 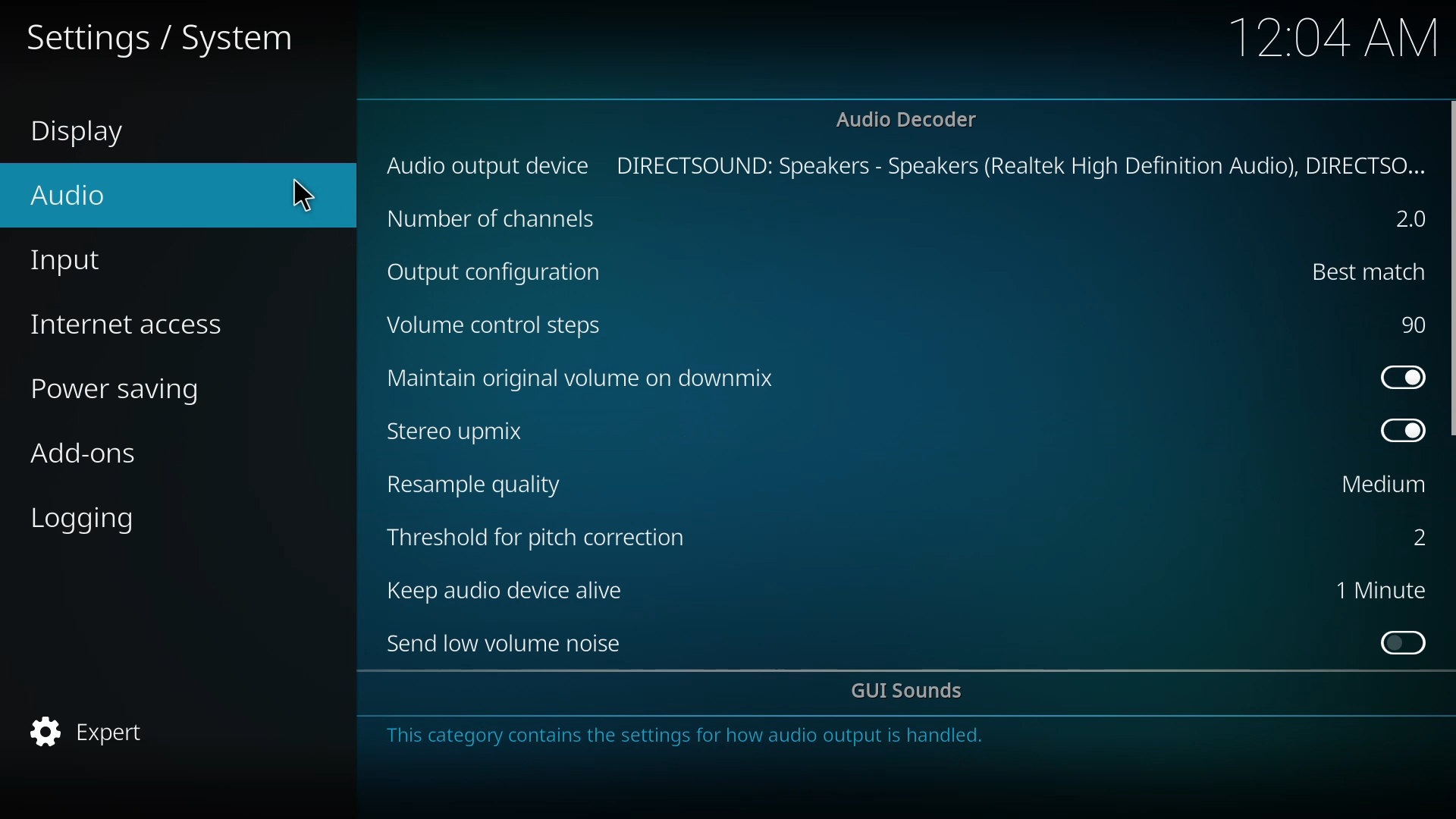 I want to click on 2, so click(x=1414, y=538).